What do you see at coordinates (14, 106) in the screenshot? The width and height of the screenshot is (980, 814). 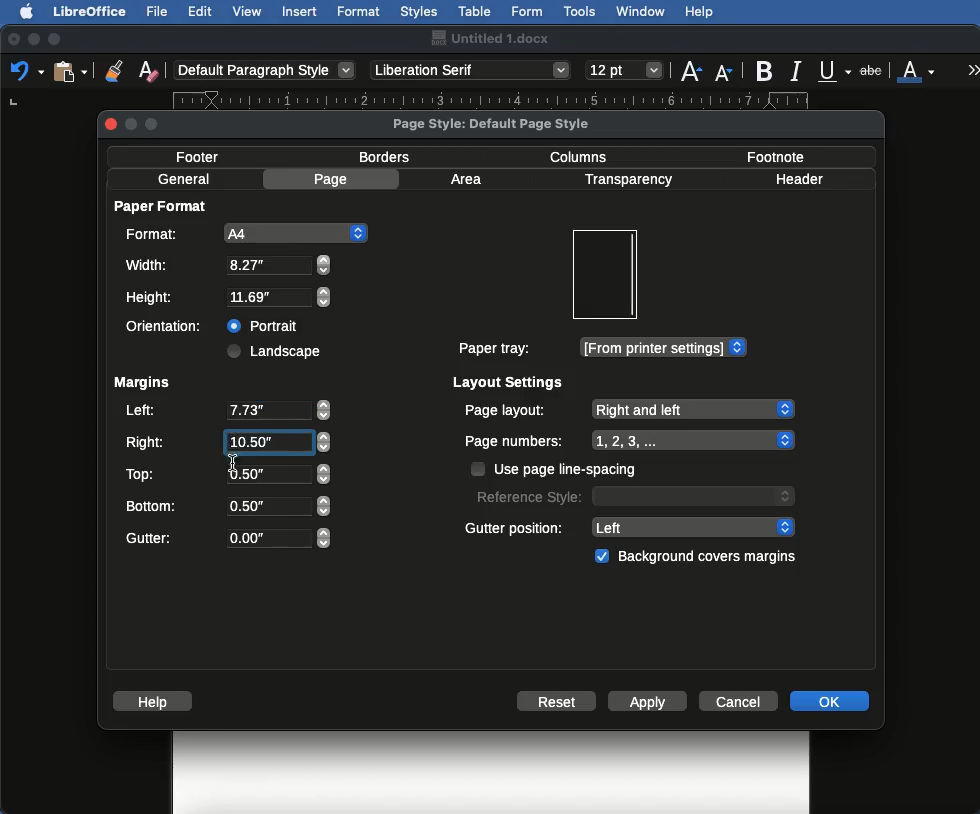 I see `left tab` at bounding box center [14, 106].